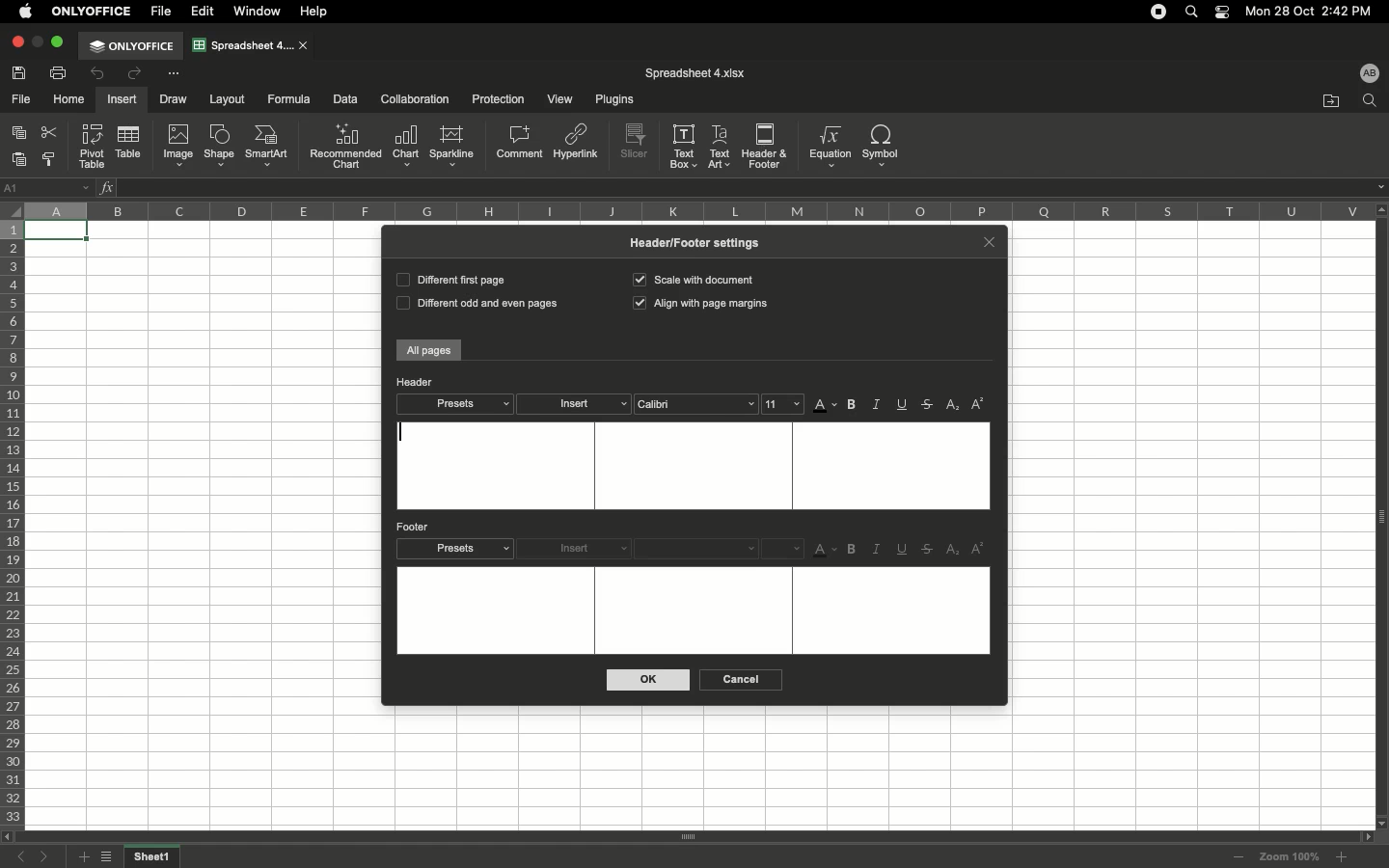 This screenshot has height=868, width=1389. I want to click on Edit, so click(204, 12).